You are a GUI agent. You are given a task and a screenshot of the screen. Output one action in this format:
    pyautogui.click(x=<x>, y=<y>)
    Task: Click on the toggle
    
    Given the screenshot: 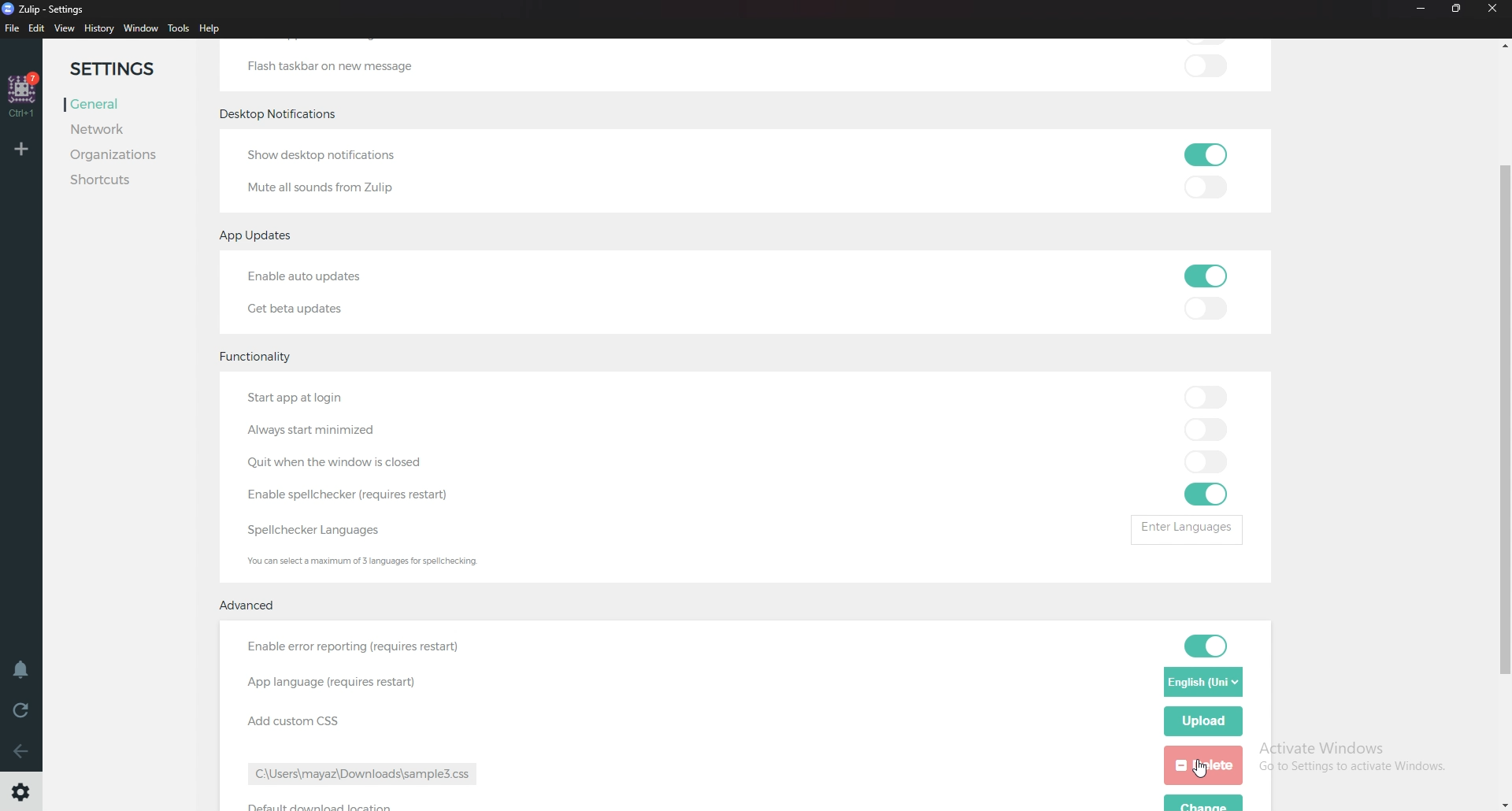 What is the action you would take?
    pyautogui.click(x=1206, y=430)
    